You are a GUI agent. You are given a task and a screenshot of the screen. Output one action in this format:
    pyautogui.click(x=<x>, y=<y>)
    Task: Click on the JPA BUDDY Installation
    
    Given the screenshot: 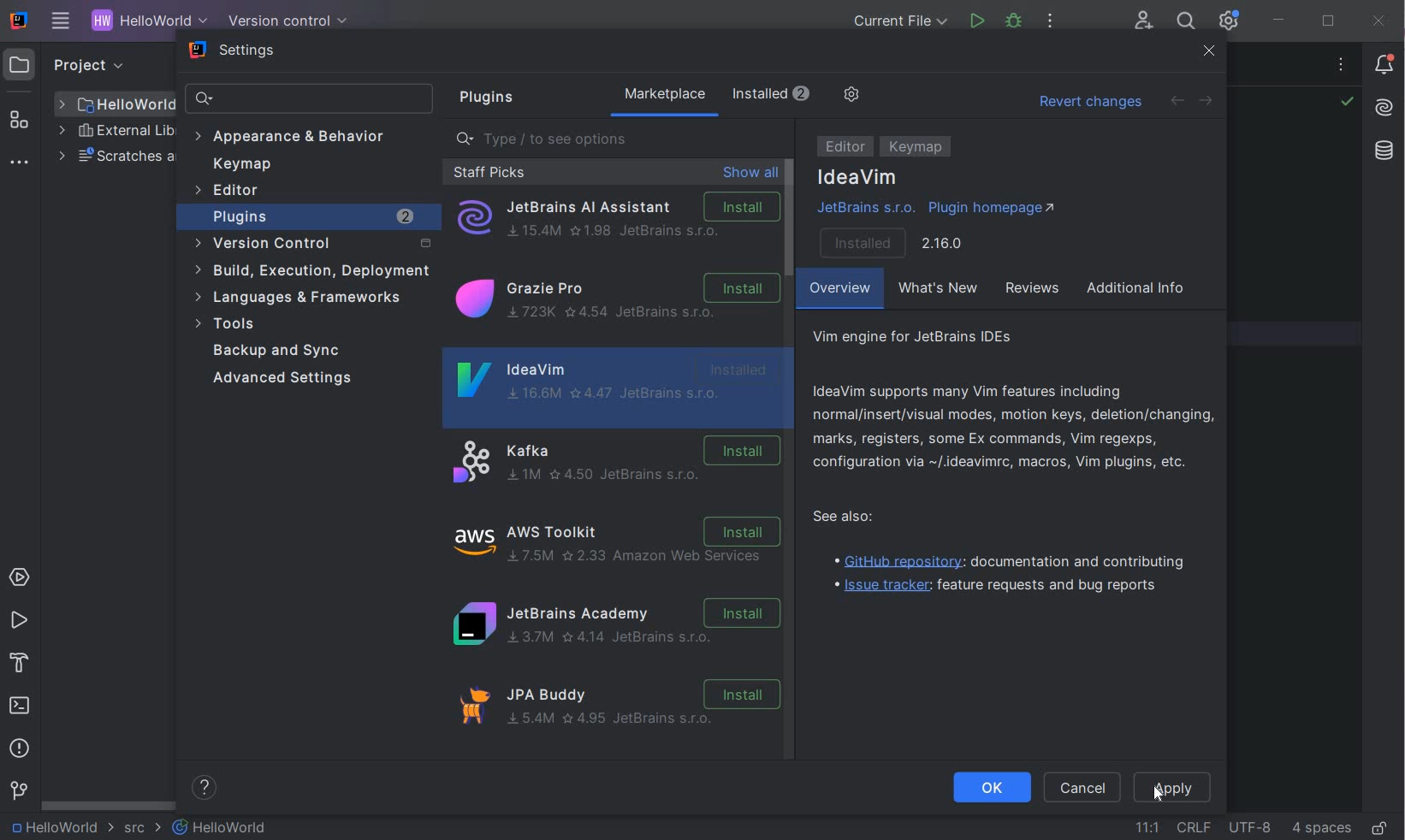 What is the action you would take?
    pyautogui.click(x=621, y=712)
    